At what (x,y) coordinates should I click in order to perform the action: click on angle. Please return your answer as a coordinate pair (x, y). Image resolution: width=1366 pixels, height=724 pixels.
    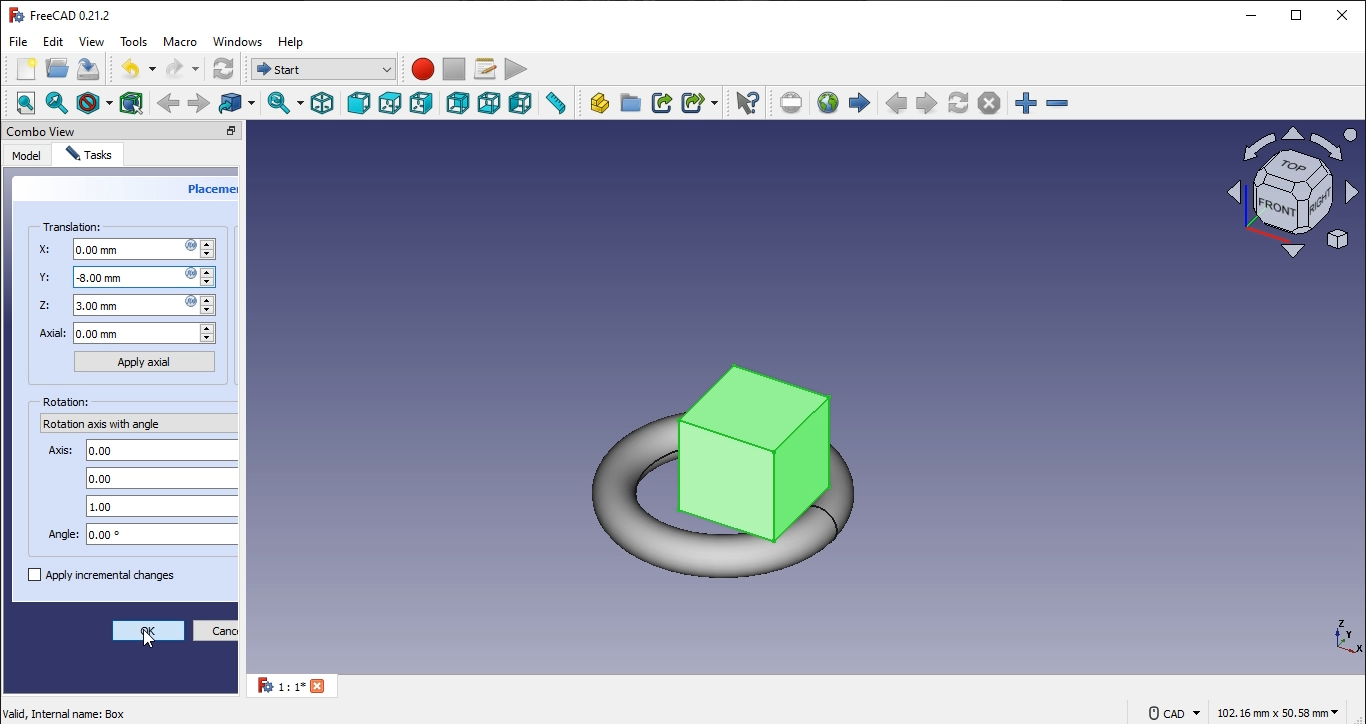
    Looking at the image, I should click on (137, 535).